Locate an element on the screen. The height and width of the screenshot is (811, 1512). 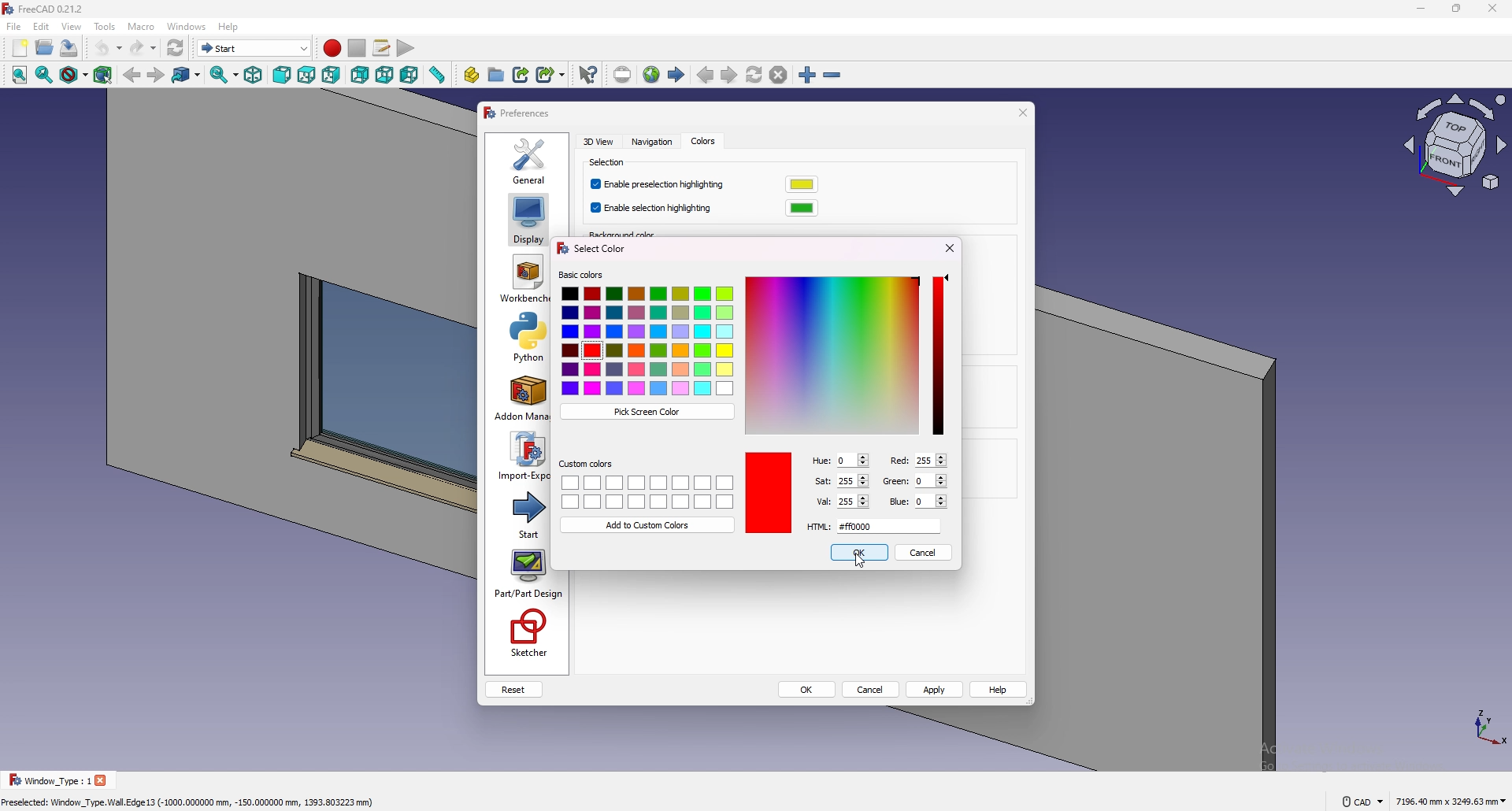
import export is located at coordinates (521, 456).